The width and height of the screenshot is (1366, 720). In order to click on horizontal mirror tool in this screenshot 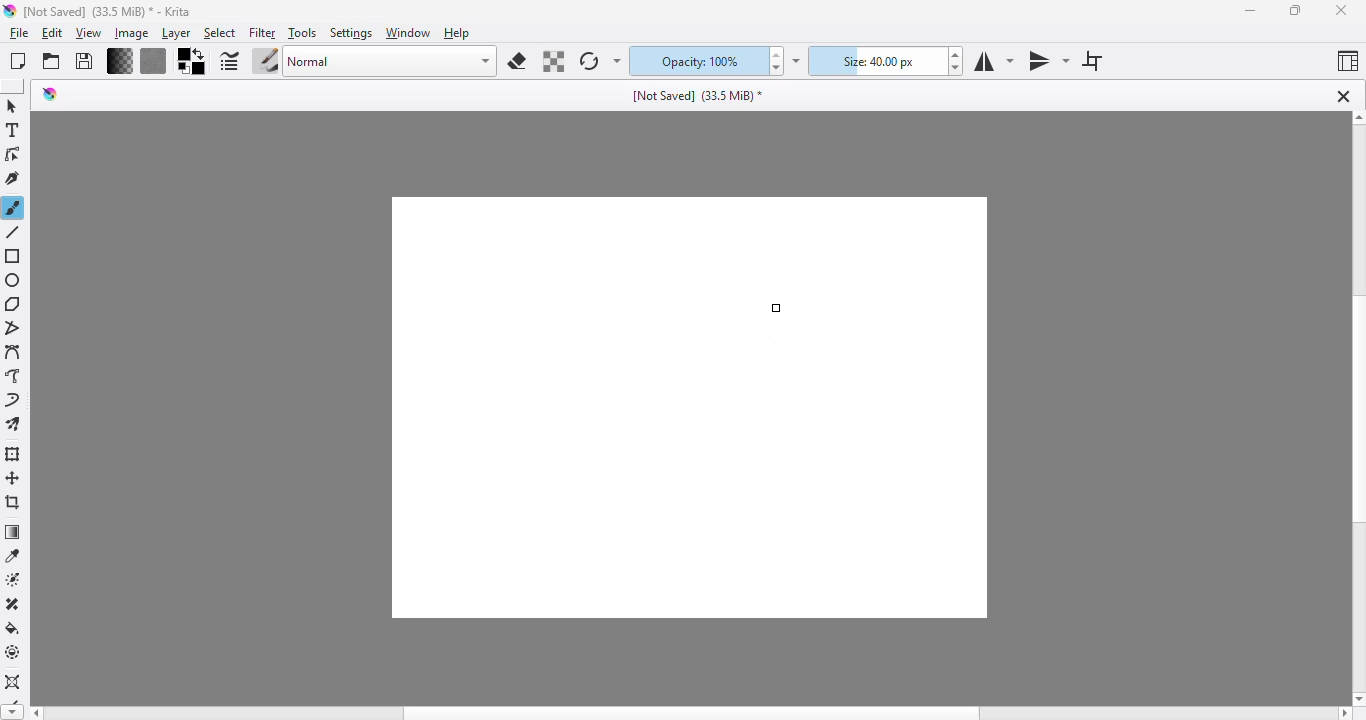, I will do `click(992, 61)`.